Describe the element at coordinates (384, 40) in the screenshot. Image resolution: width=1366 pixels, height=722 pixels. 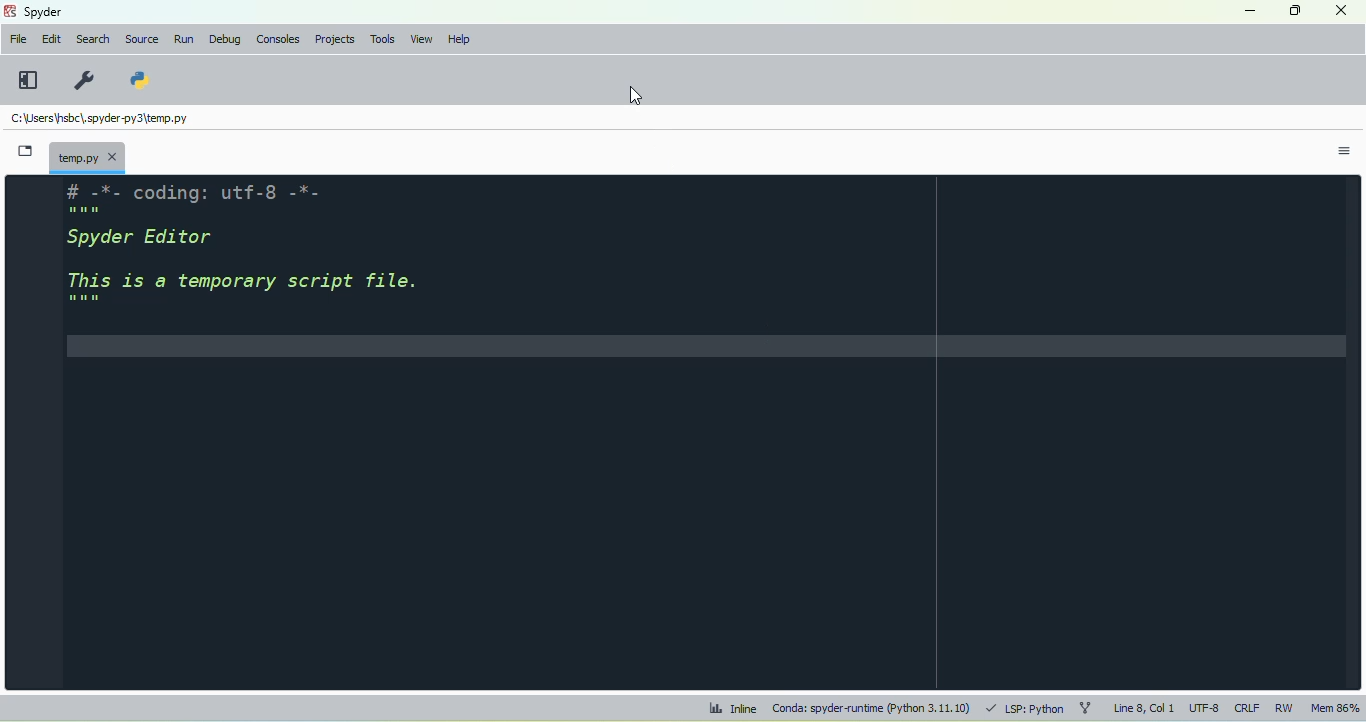
I see `tools` at that location.